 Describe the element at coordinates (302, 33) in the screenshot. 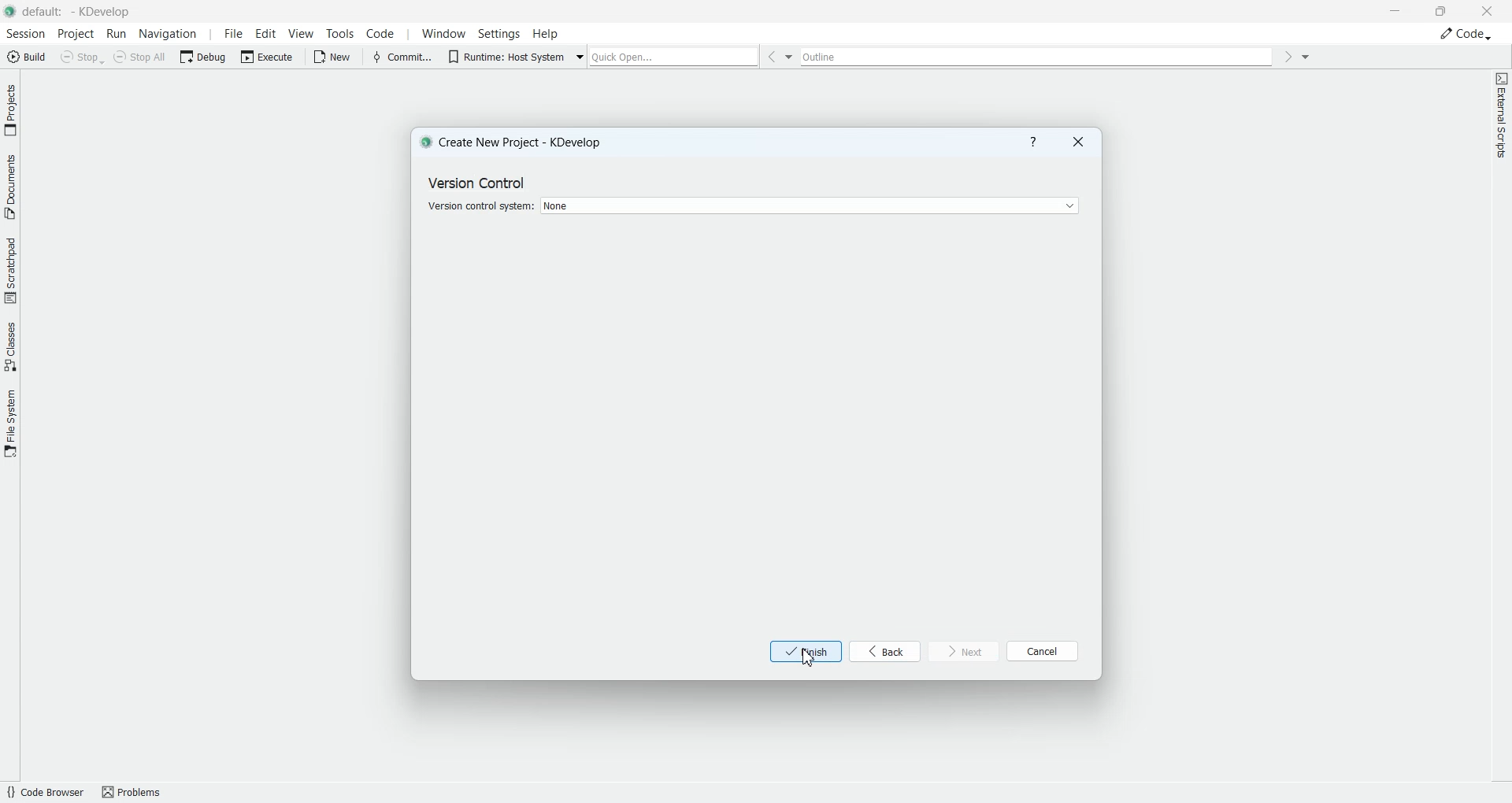

I see `View` at that location.